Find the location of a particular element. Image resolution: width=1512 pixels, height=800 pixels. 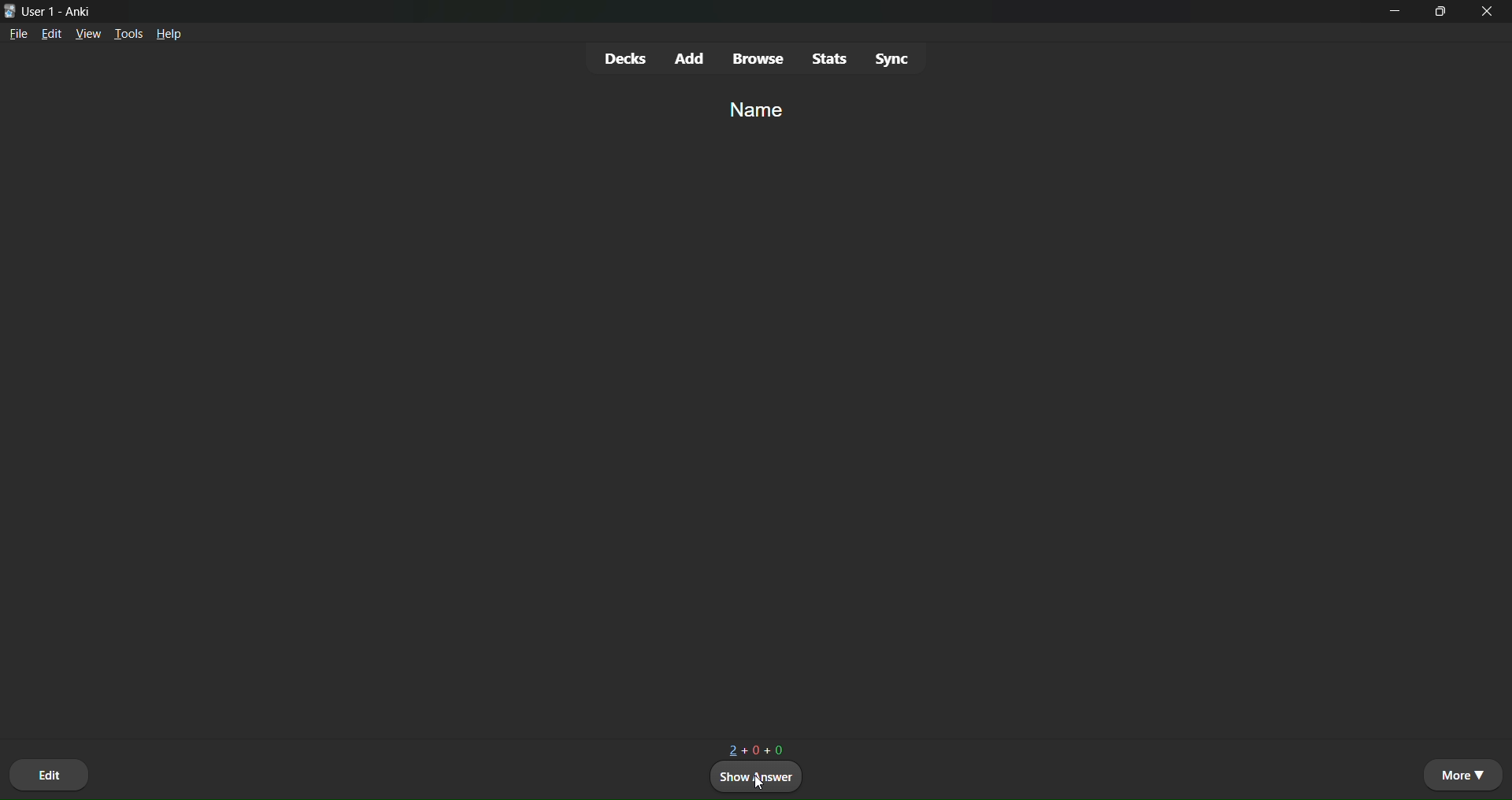

file is located at coordinates (18, 37).